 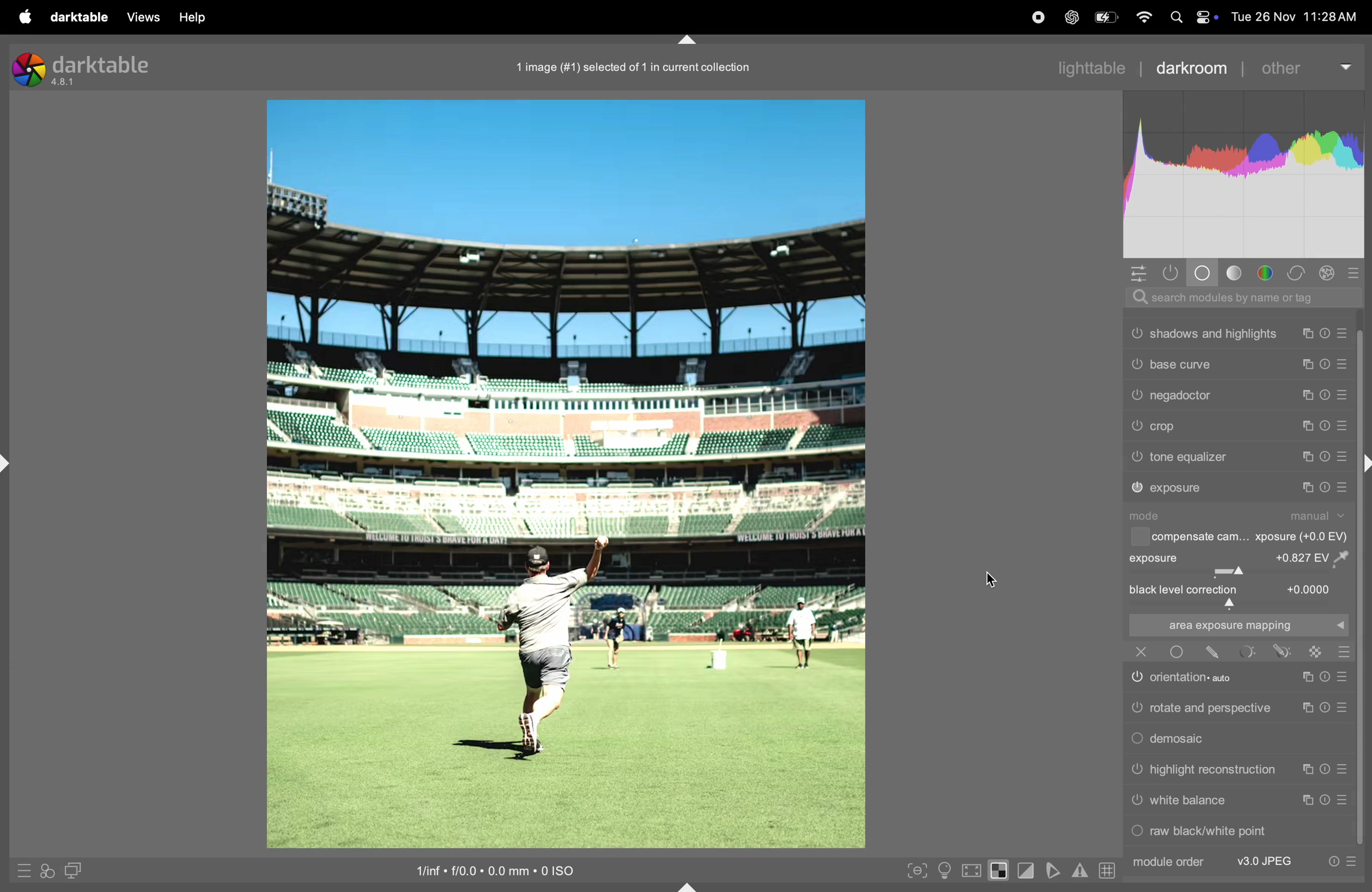 What do you see at coordinates (1310, 425) in the screenshot?
I see `copy` at bounding box center [1310, 425].